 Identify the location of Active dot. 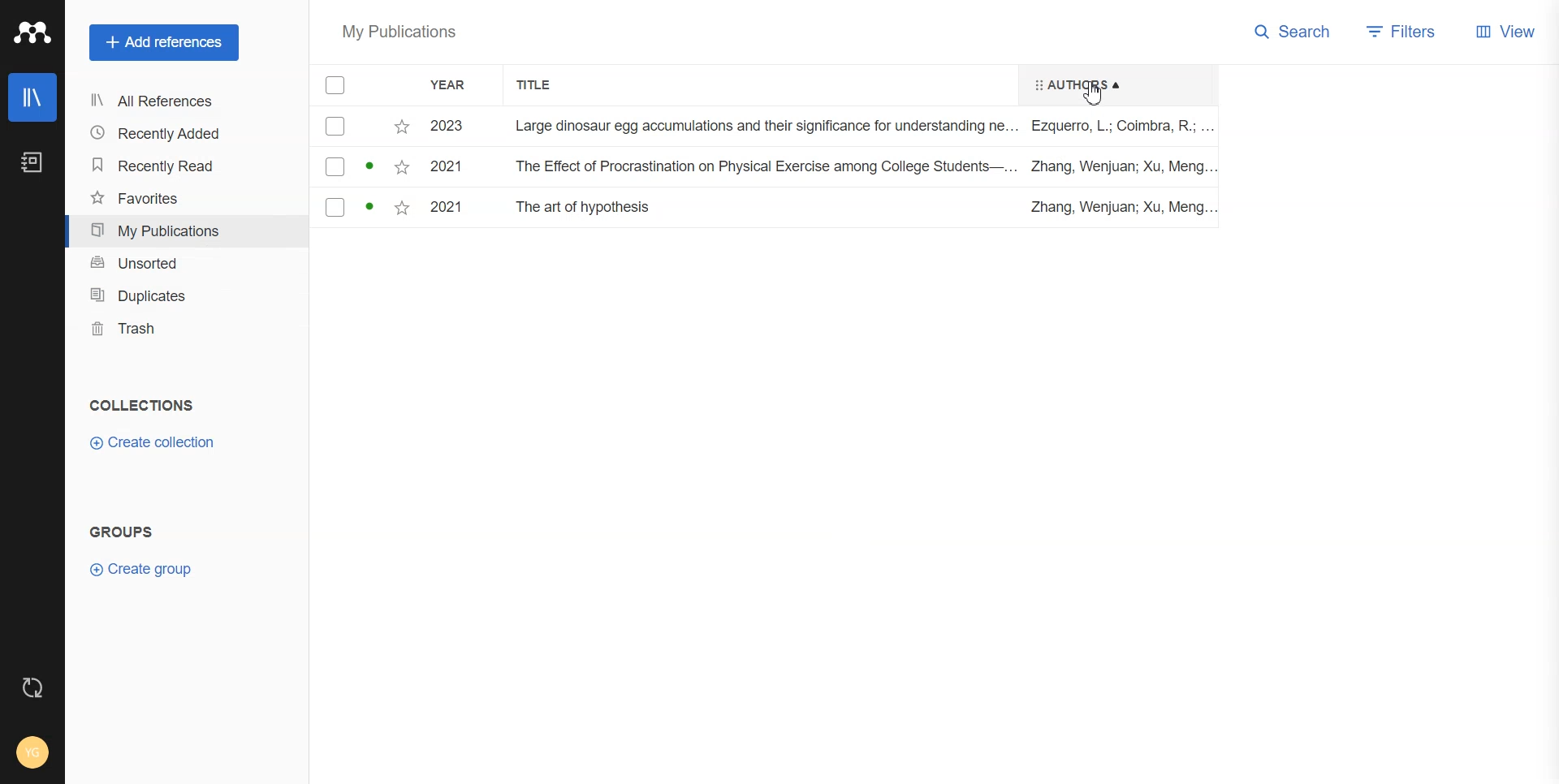
(370, 208).